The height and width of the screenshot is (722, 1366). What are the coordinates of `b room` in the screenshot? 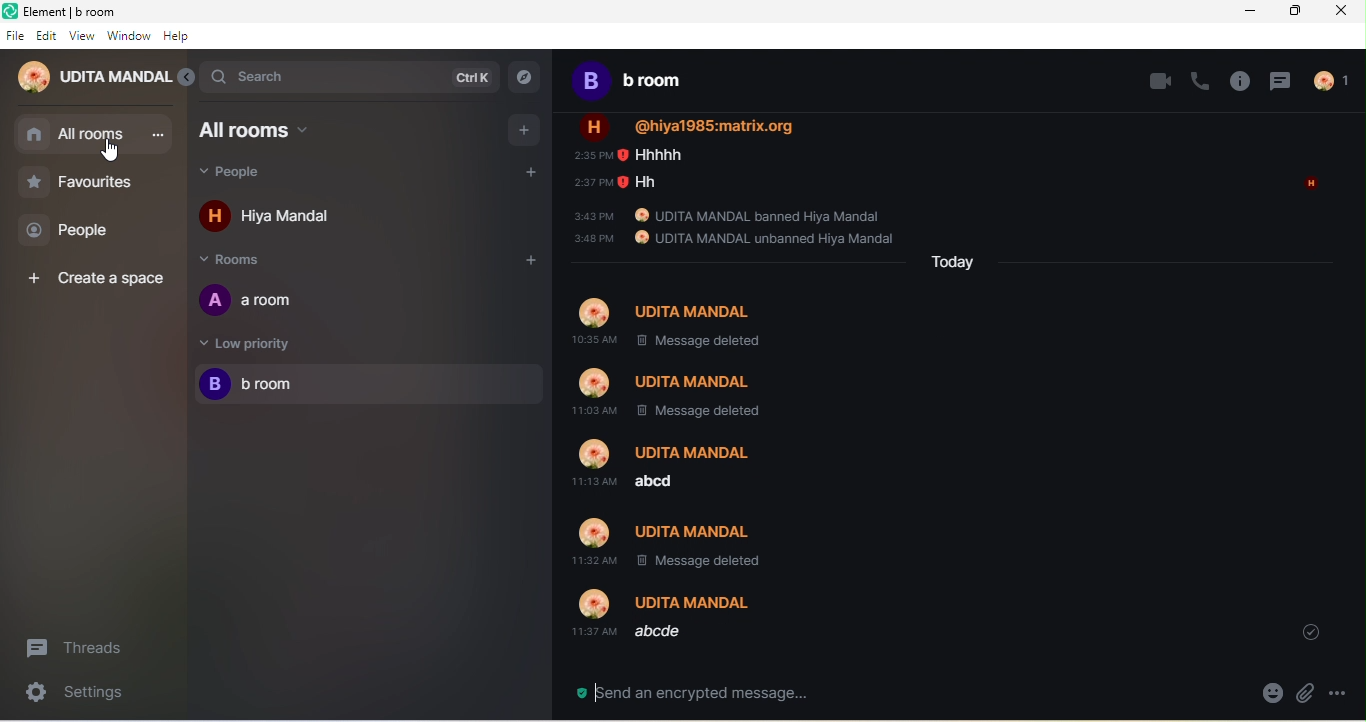 It's located at (366, 384).